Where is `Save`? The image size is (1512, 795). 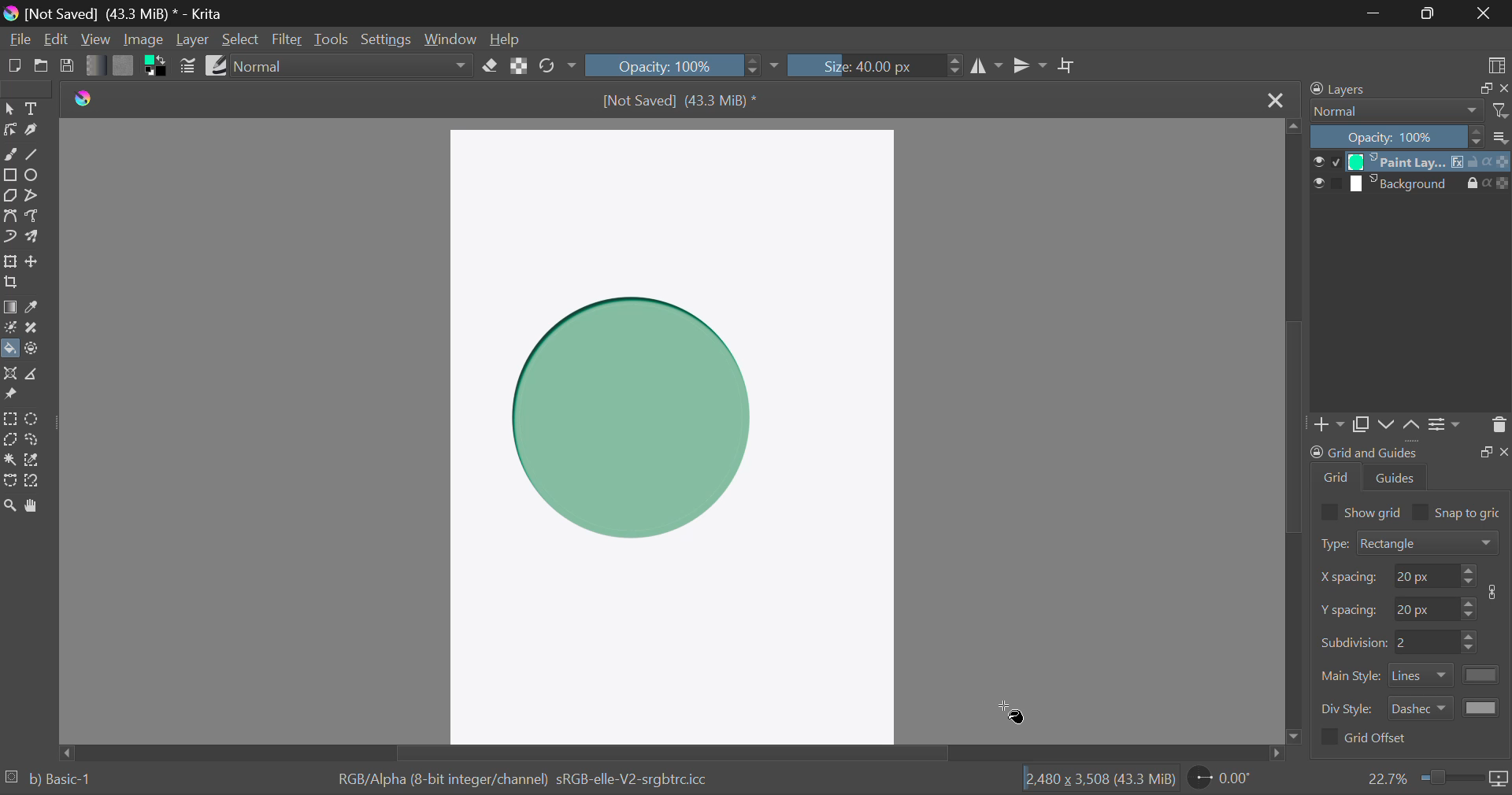 Save is located at coordinates (68, 68).